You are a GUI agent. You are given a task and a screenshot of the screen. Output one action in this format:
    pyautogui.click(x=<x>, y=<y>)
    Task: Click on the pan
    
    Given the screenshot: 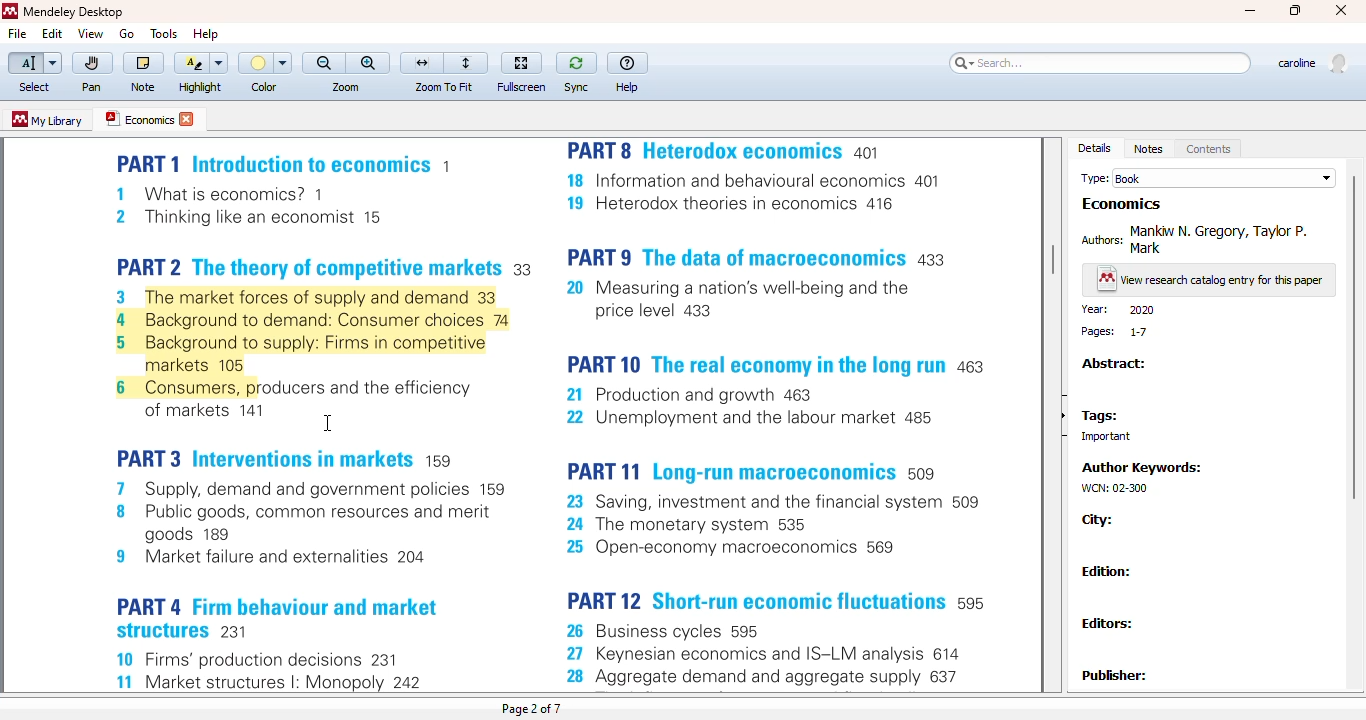 What is the action you would take?
    pyautogui.click(x=93, y=64)
    